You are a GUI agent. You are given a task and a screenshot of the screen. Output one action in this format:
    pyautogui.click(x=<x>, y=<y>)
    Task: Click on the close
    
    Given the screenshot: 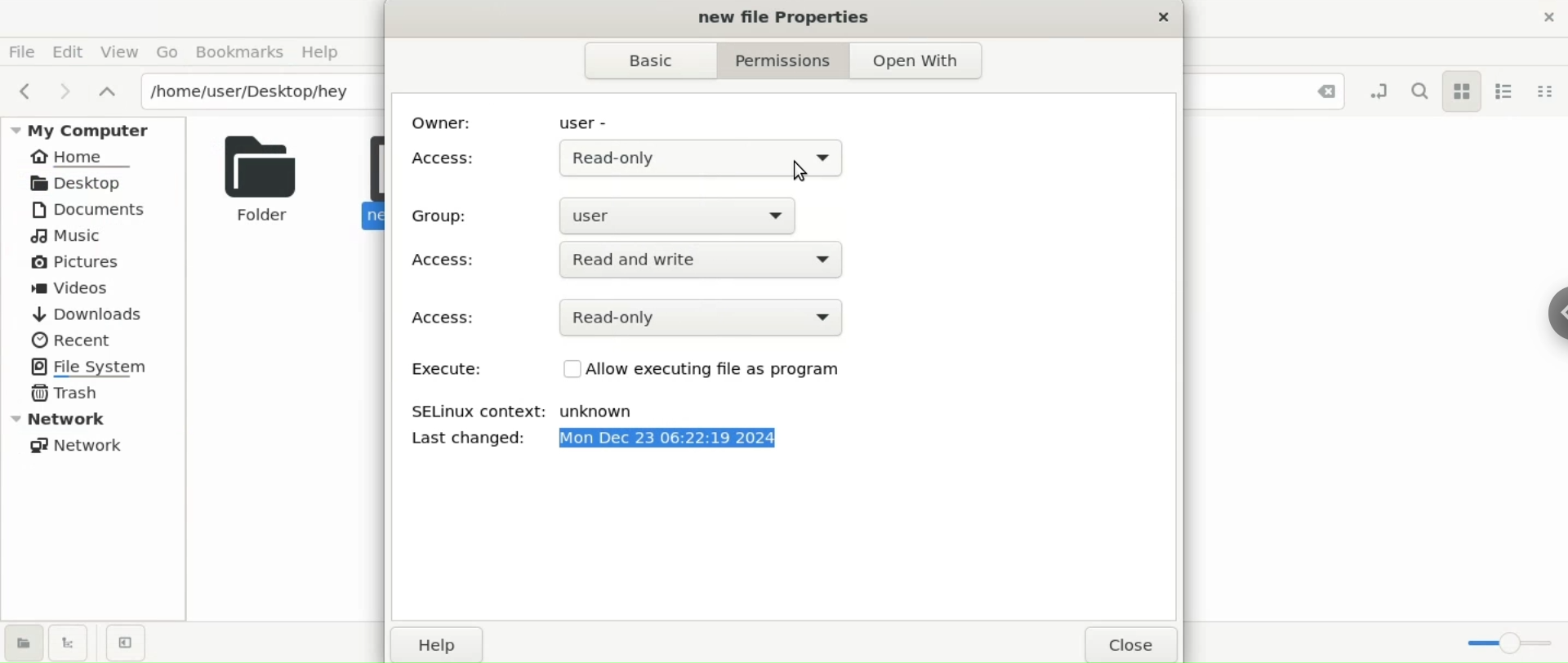 What is the action you would take?
    pyautogui.click(x=1550, y=22)
    